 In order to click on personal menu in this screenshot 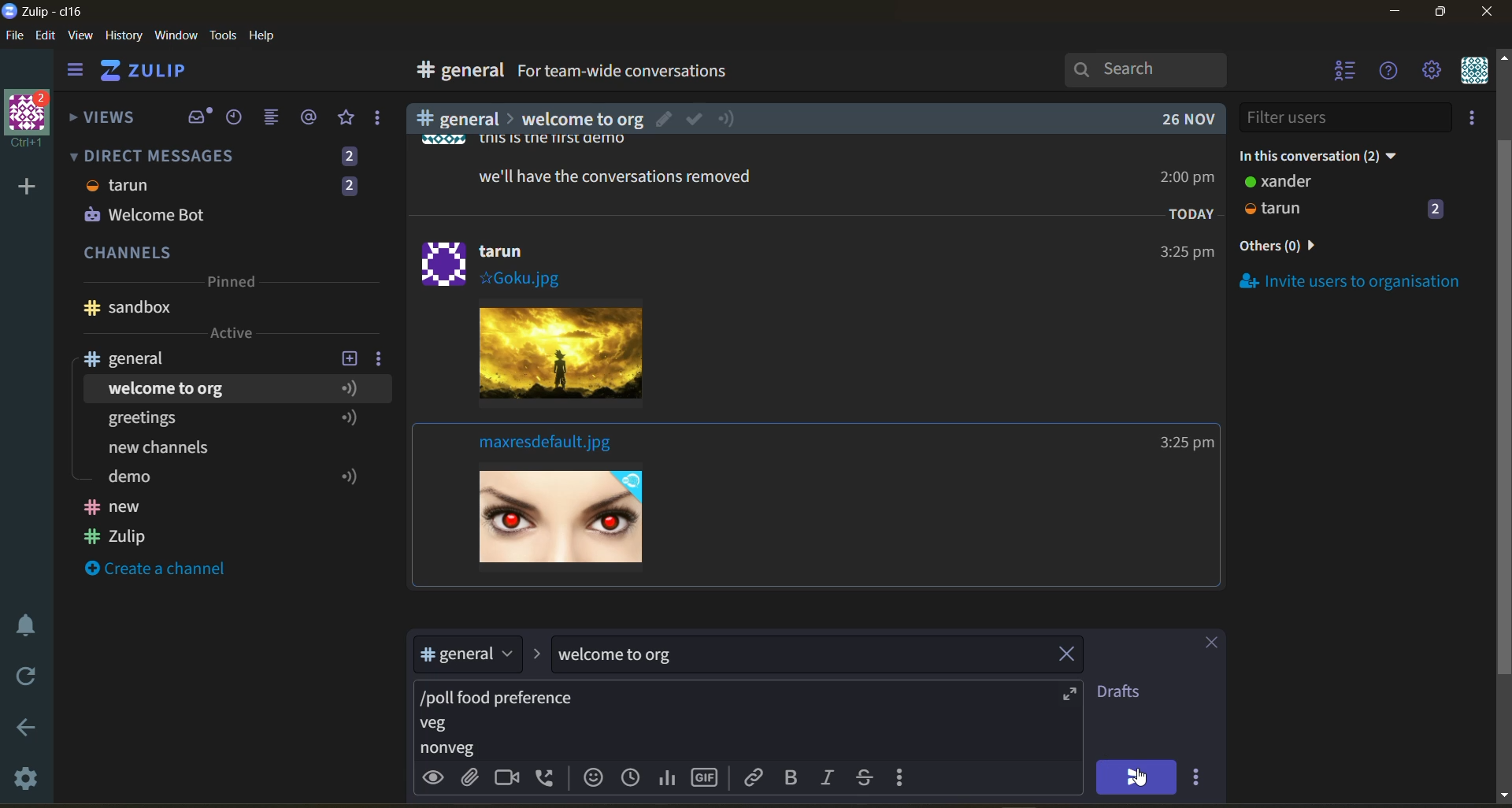, I will do `click(1473, 72)`.